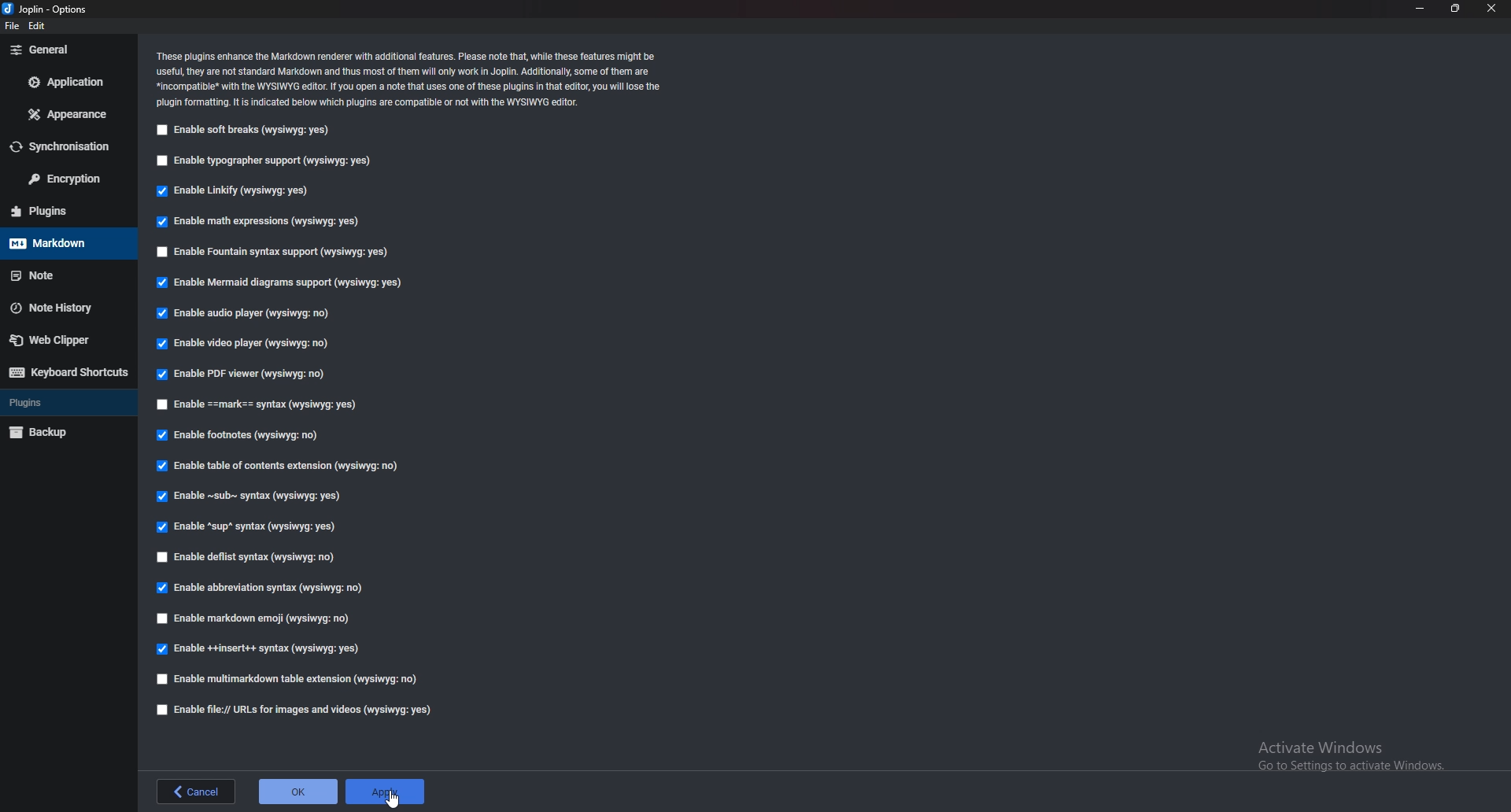  Describe the element at coordinates (72, 82) in the screenshot. I see `Application` at that location.